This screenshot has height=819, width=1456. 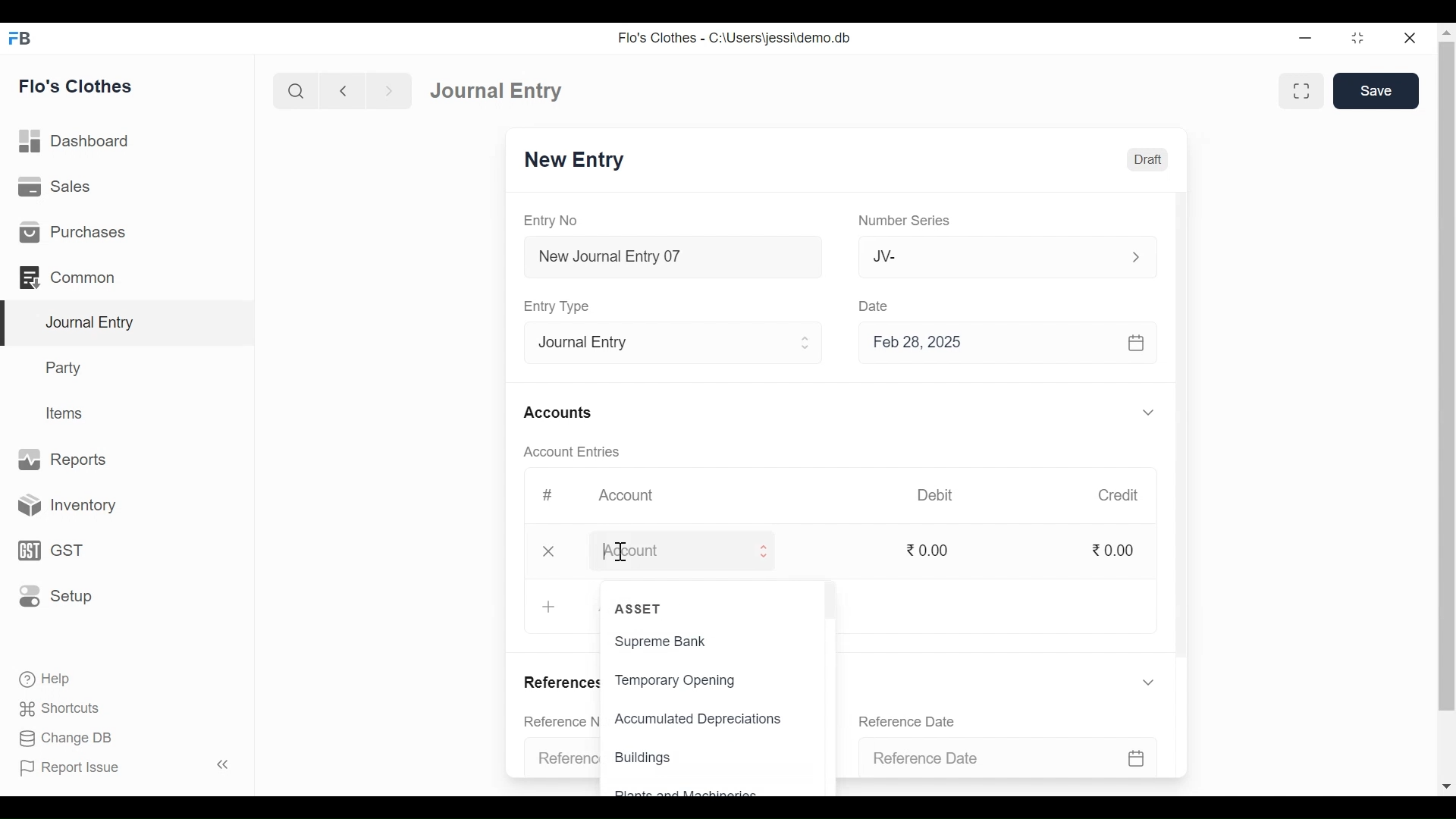 I want to click on Search, so click(x=296, y=92).